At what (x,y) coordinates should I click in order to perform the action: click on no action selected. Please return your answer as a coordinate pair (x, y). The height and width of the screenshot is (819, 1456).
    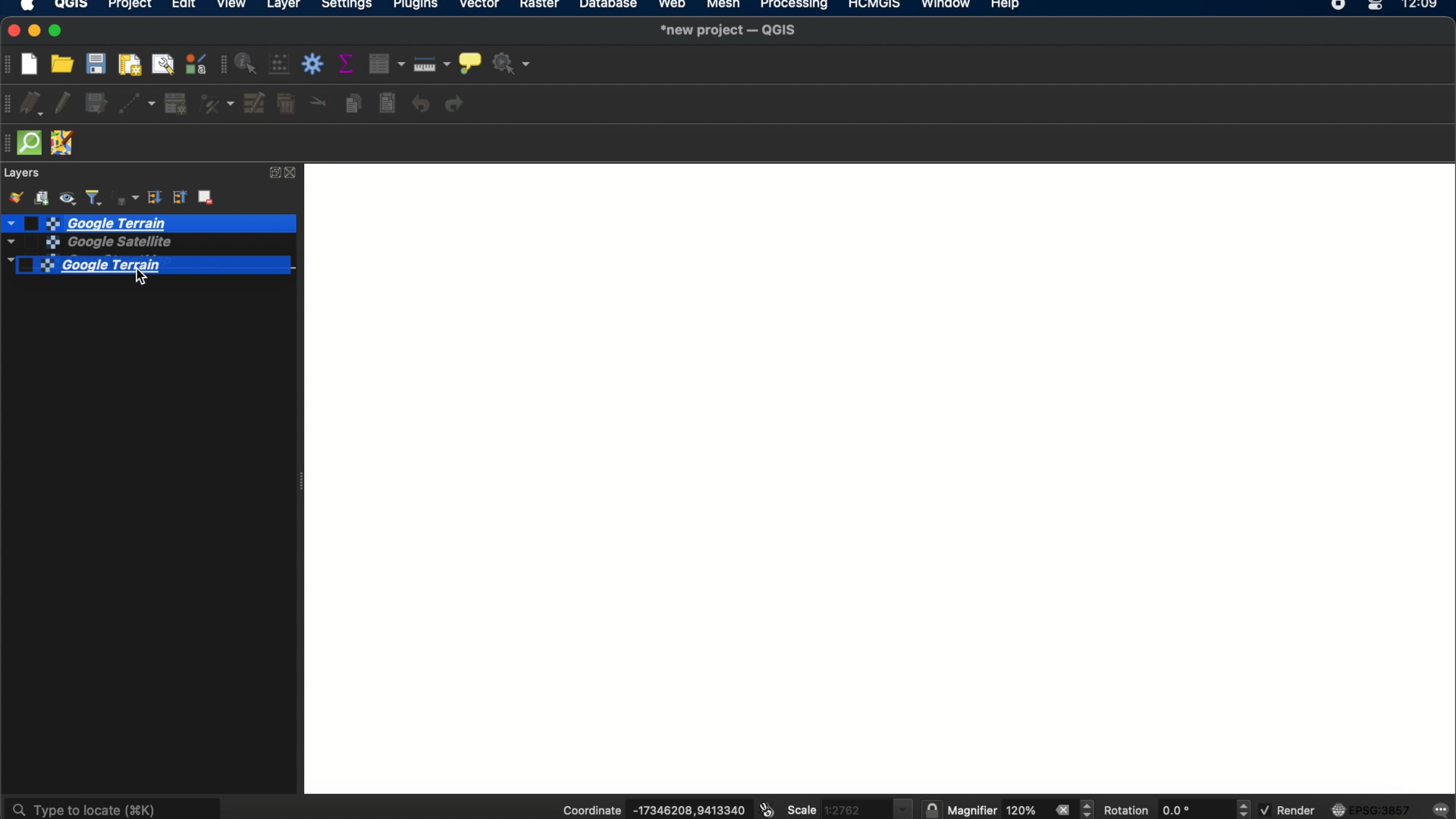
    Looking at the image, I should click on (511, 64).